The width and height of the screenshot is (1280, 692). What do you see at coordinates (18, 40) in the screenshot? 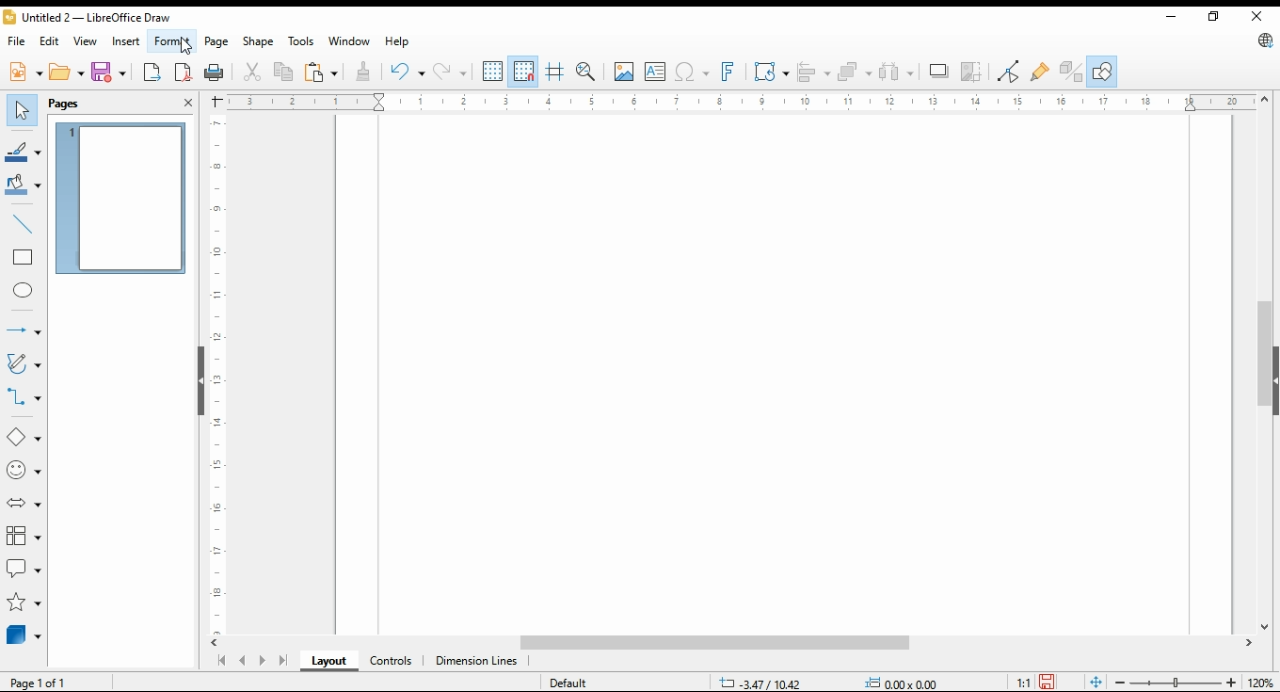
I see `file` at bounding box center [18, 40].